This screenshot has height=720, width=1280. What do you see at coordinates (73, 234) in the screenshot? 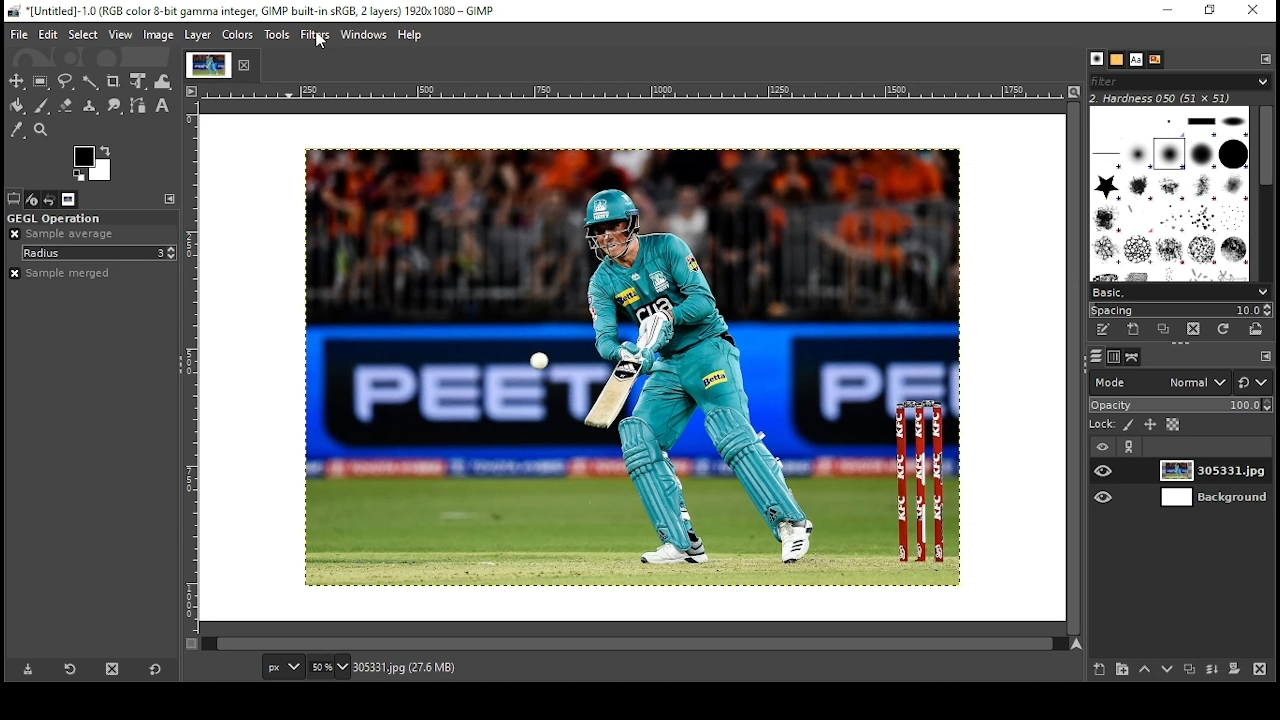
I see `sample average` at bounding box center [73, 234].